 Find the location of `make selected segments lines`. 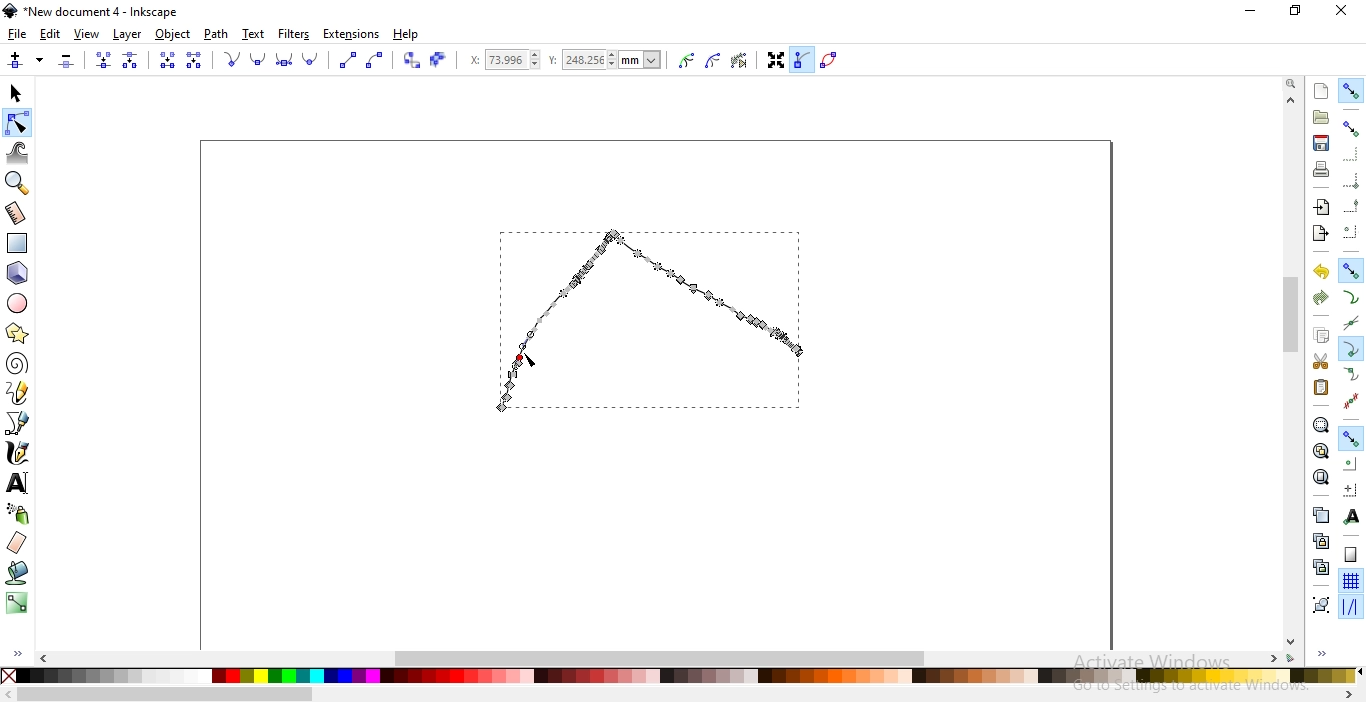

make selected segments lines is located at coordinates (346, 60).